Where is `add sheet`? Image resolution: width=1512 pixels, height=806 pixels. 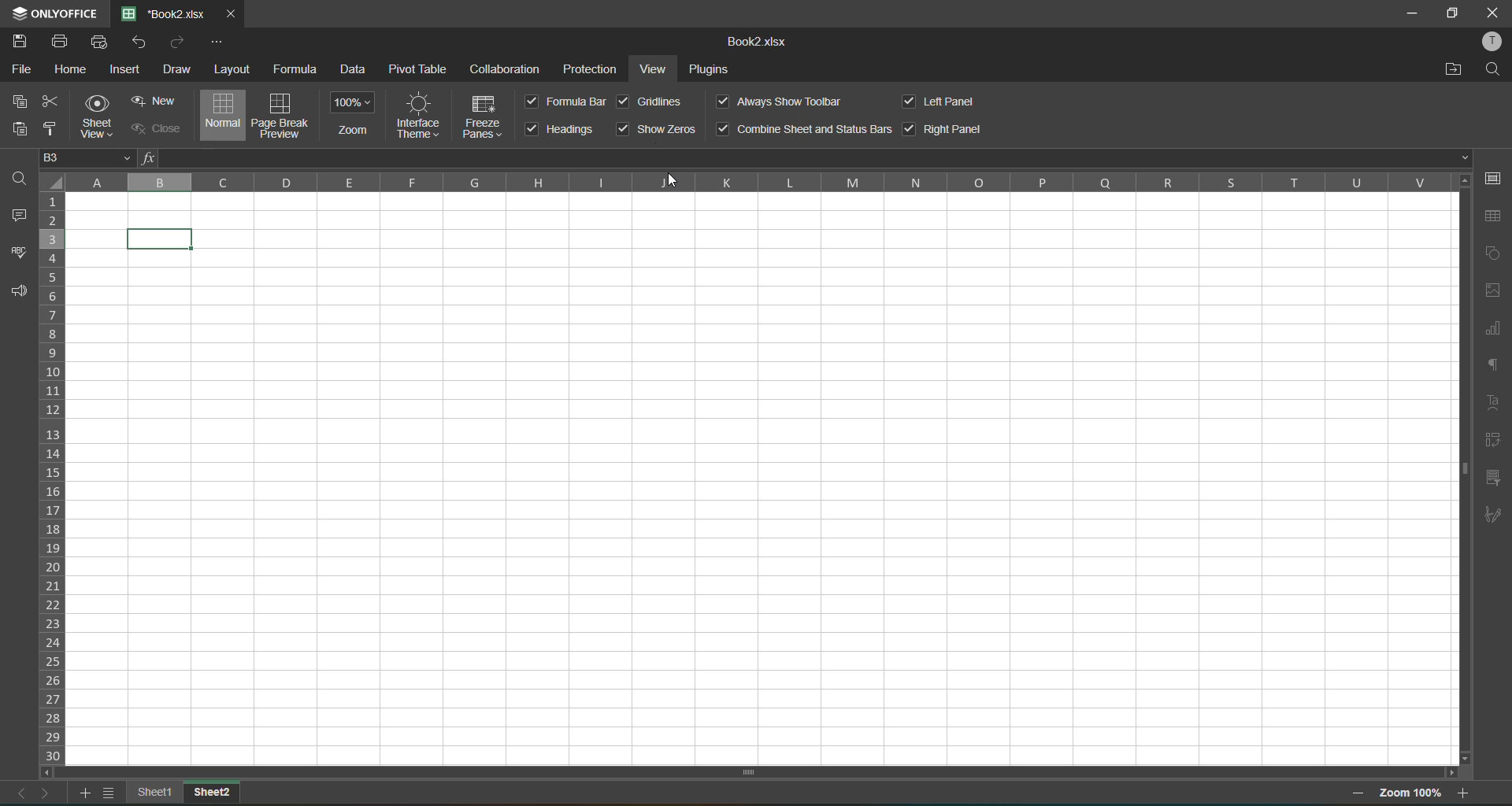 add sheet is located at coordinates (87, 797).